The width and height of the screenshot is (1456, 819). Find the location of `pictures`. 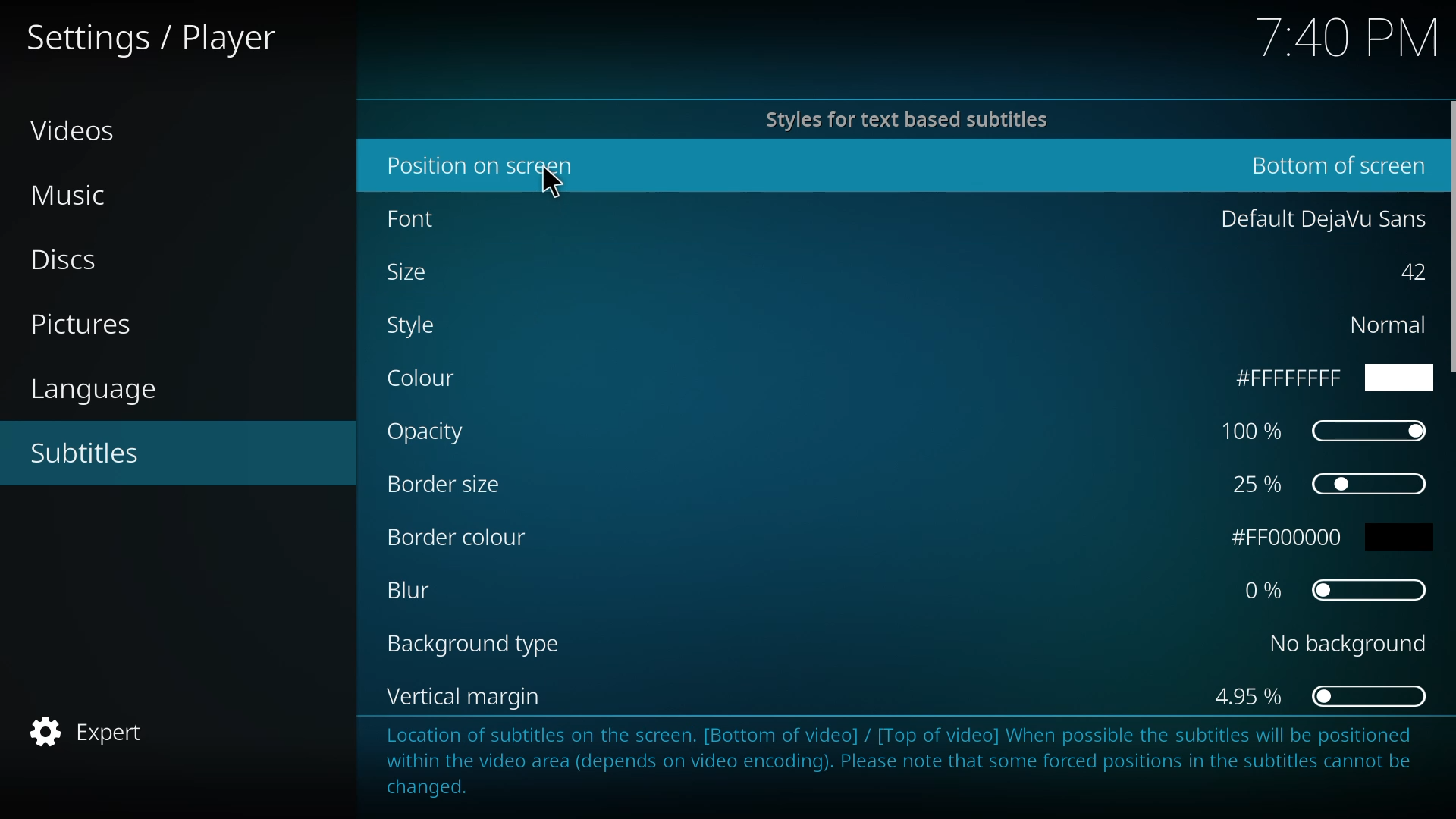

pictures is located at coordinates (83, 325).